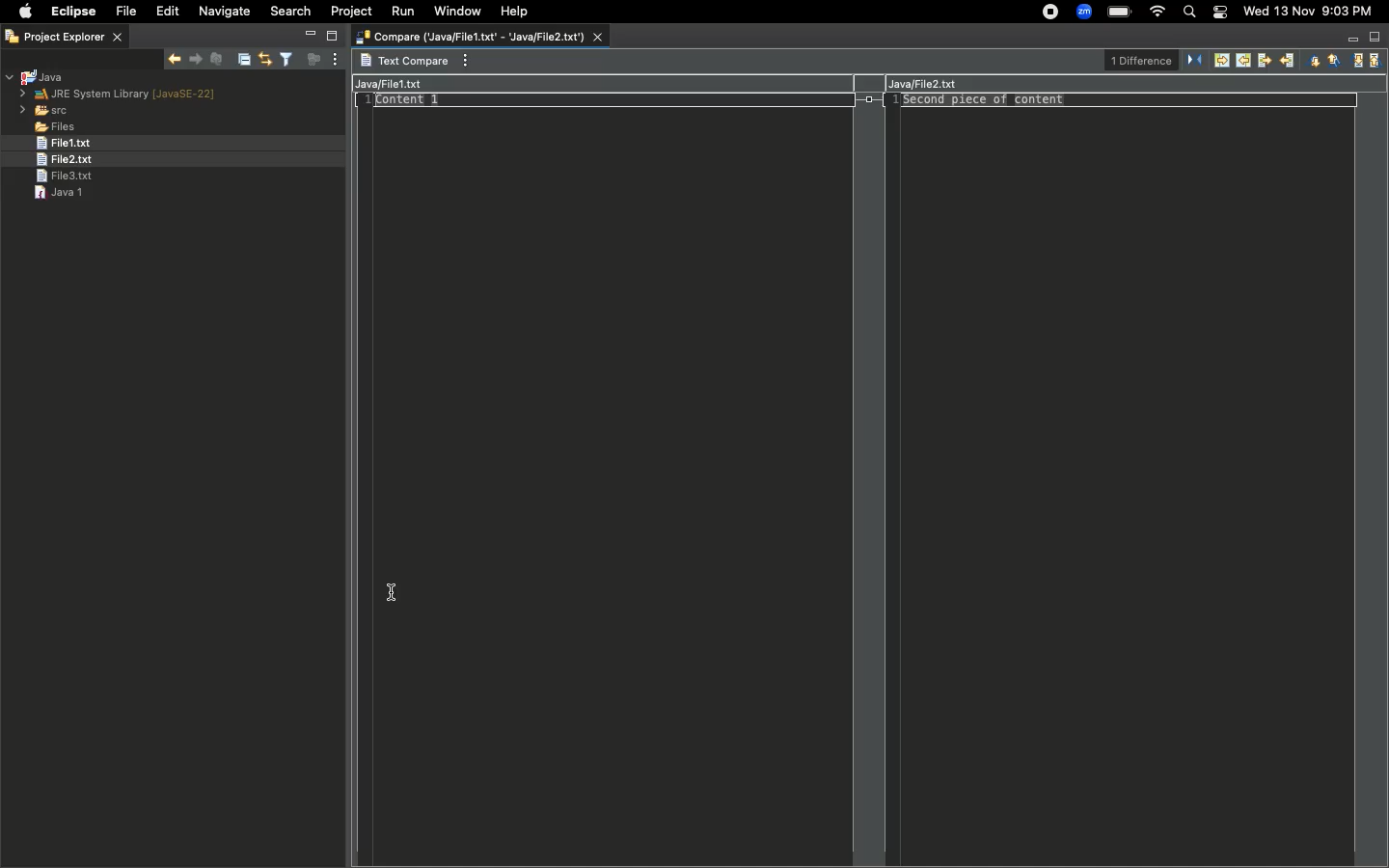 The width and height of the screenshot is (1389, 868). I want to click on Project, so click(352, 12).